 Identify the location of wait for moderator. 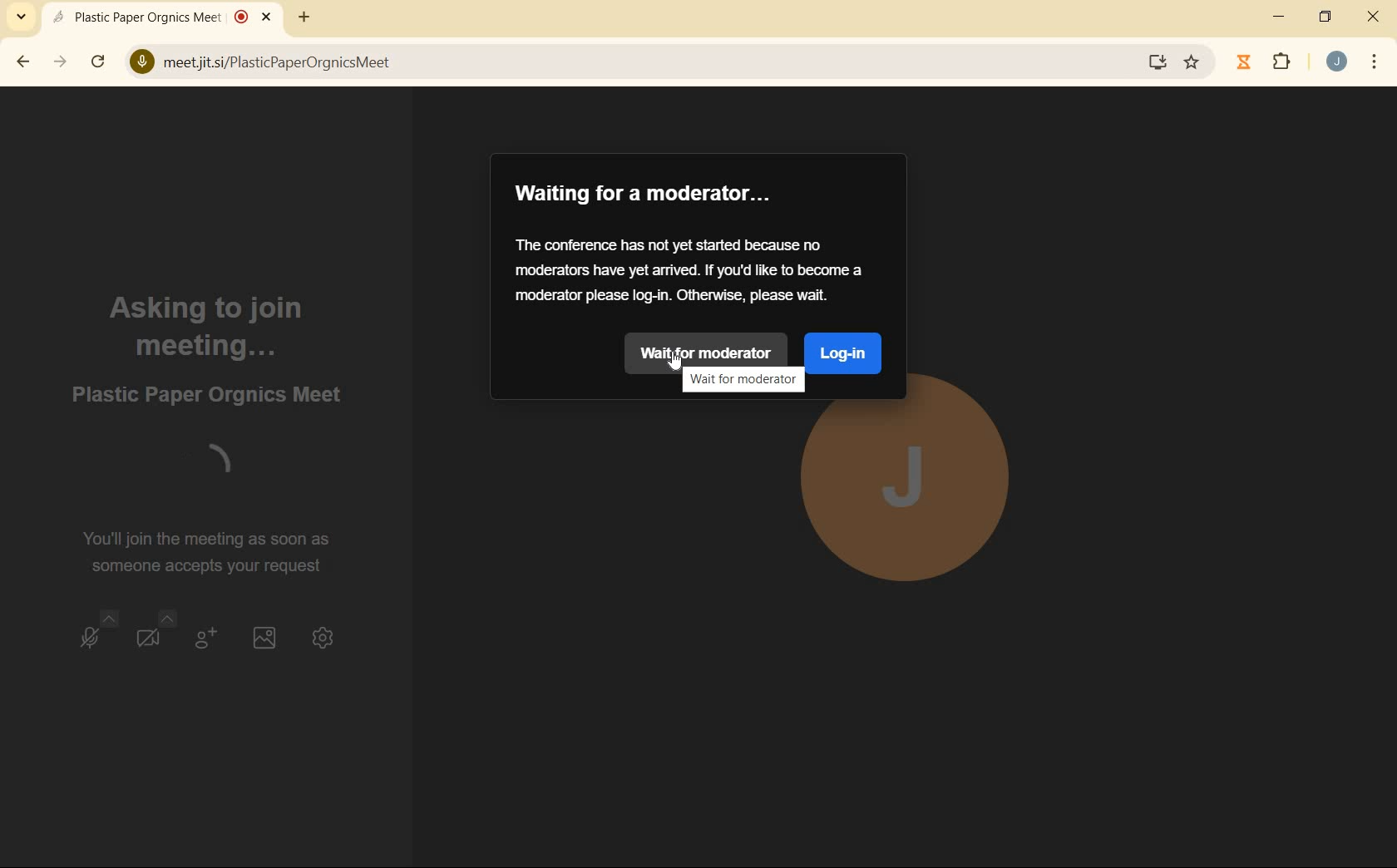
(712, 353).